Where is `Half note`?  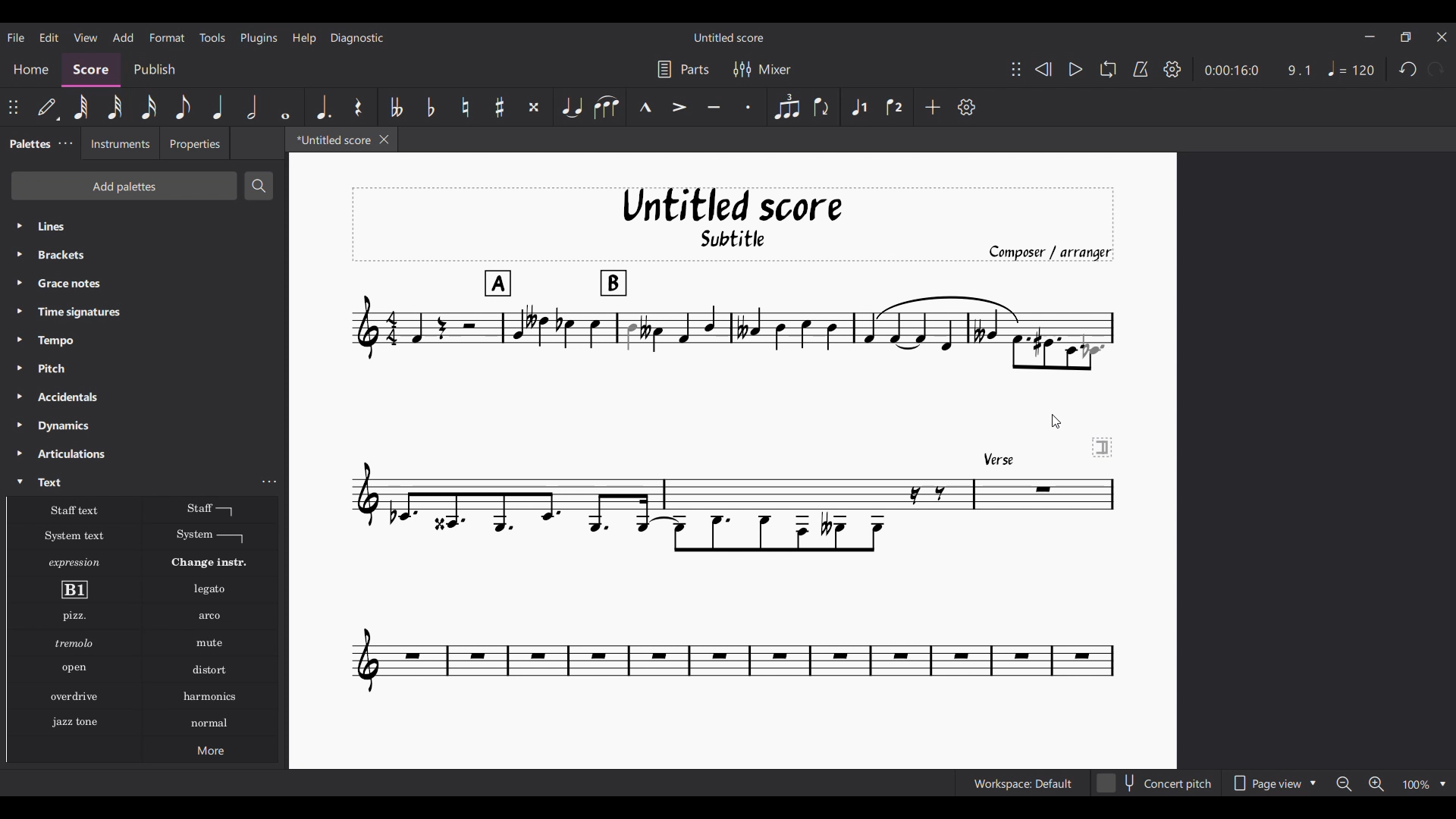
Half note is located at coordinates (252, 106).